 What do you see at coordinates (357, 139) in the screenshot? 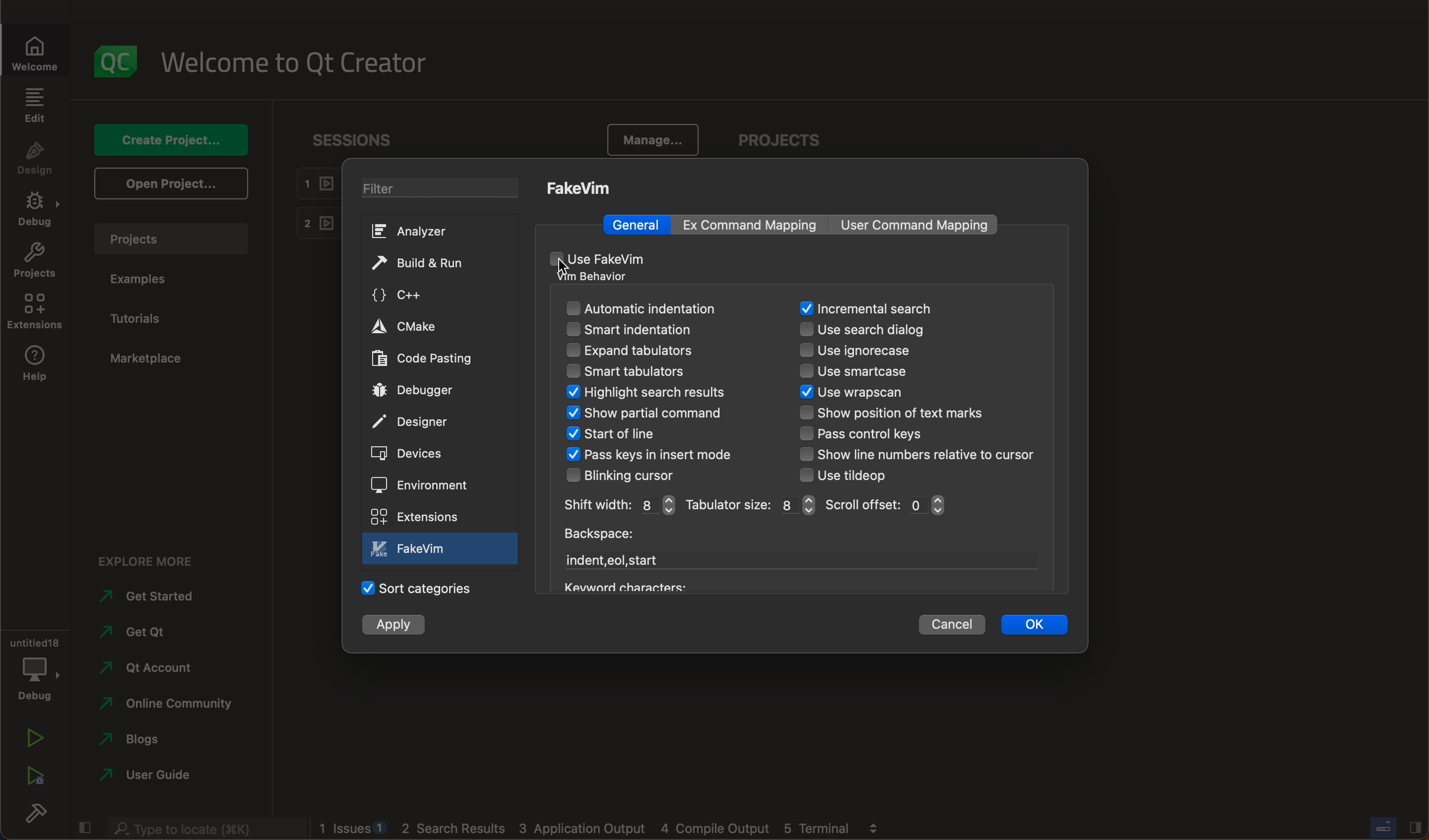
I see `sessions` at bounding box center [357, 139].